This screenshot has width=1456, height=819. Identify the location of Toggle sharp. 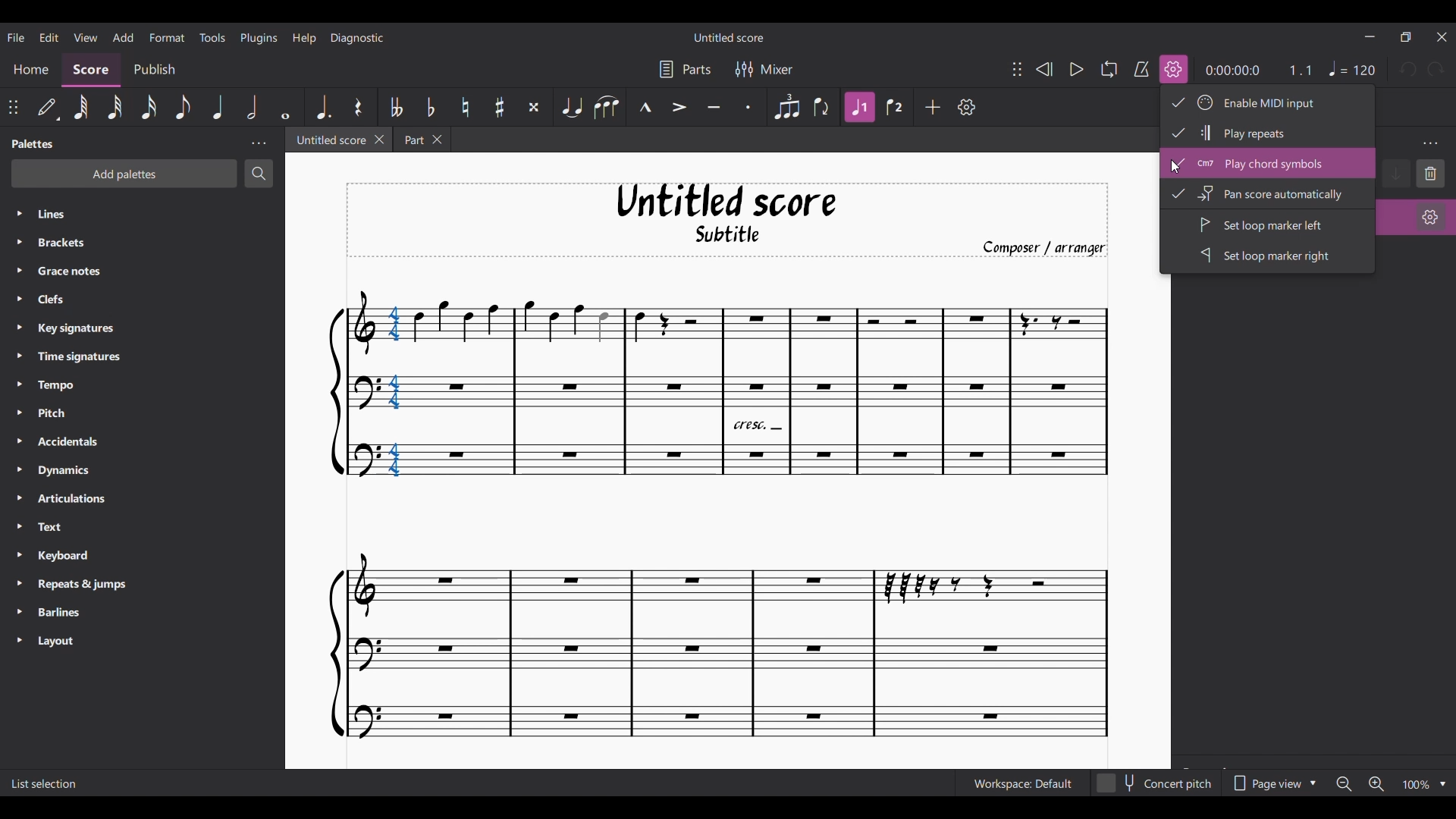
(500, 107).